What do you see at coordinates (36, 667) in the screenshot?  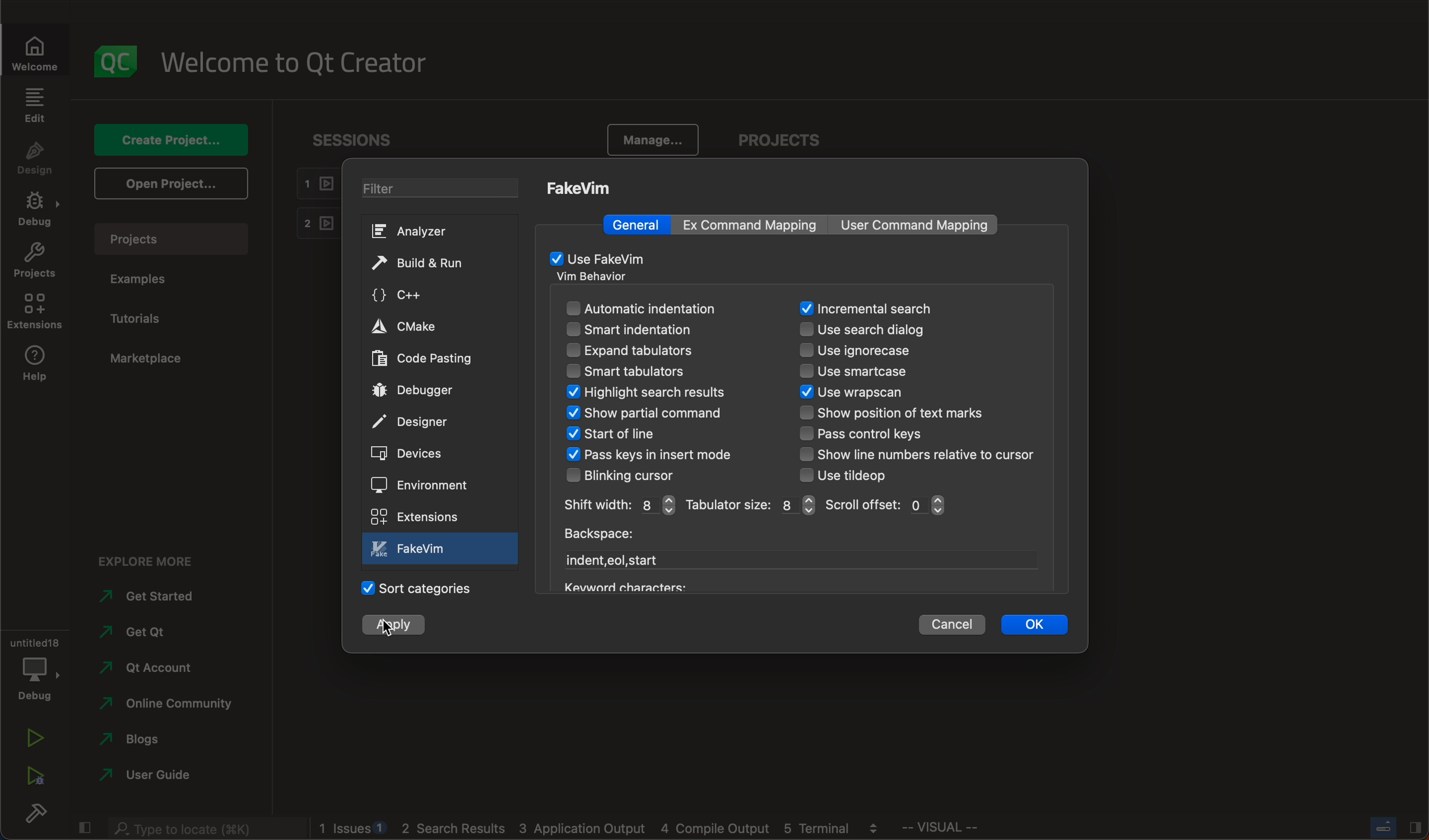 I see `debug` at bounding box center [36, 667].